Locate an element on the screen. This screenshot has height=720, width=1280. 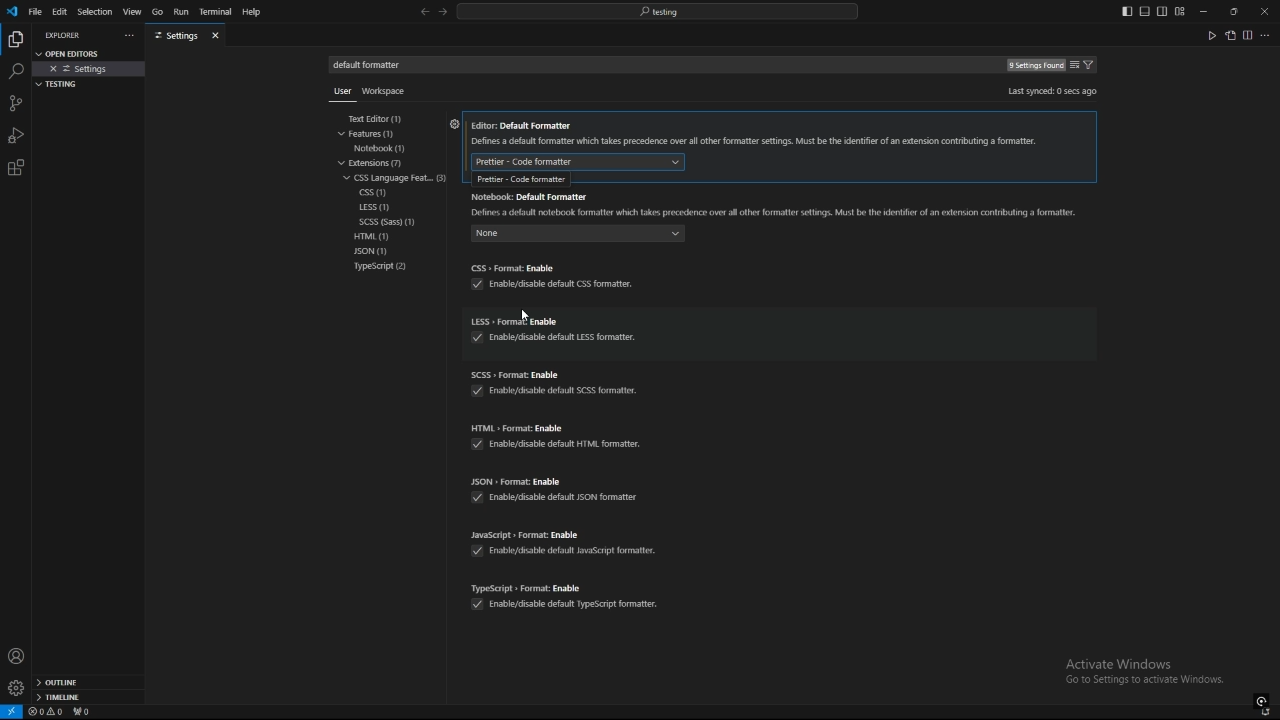
enable/disable default css formatter is located at coordinates (551, 285).